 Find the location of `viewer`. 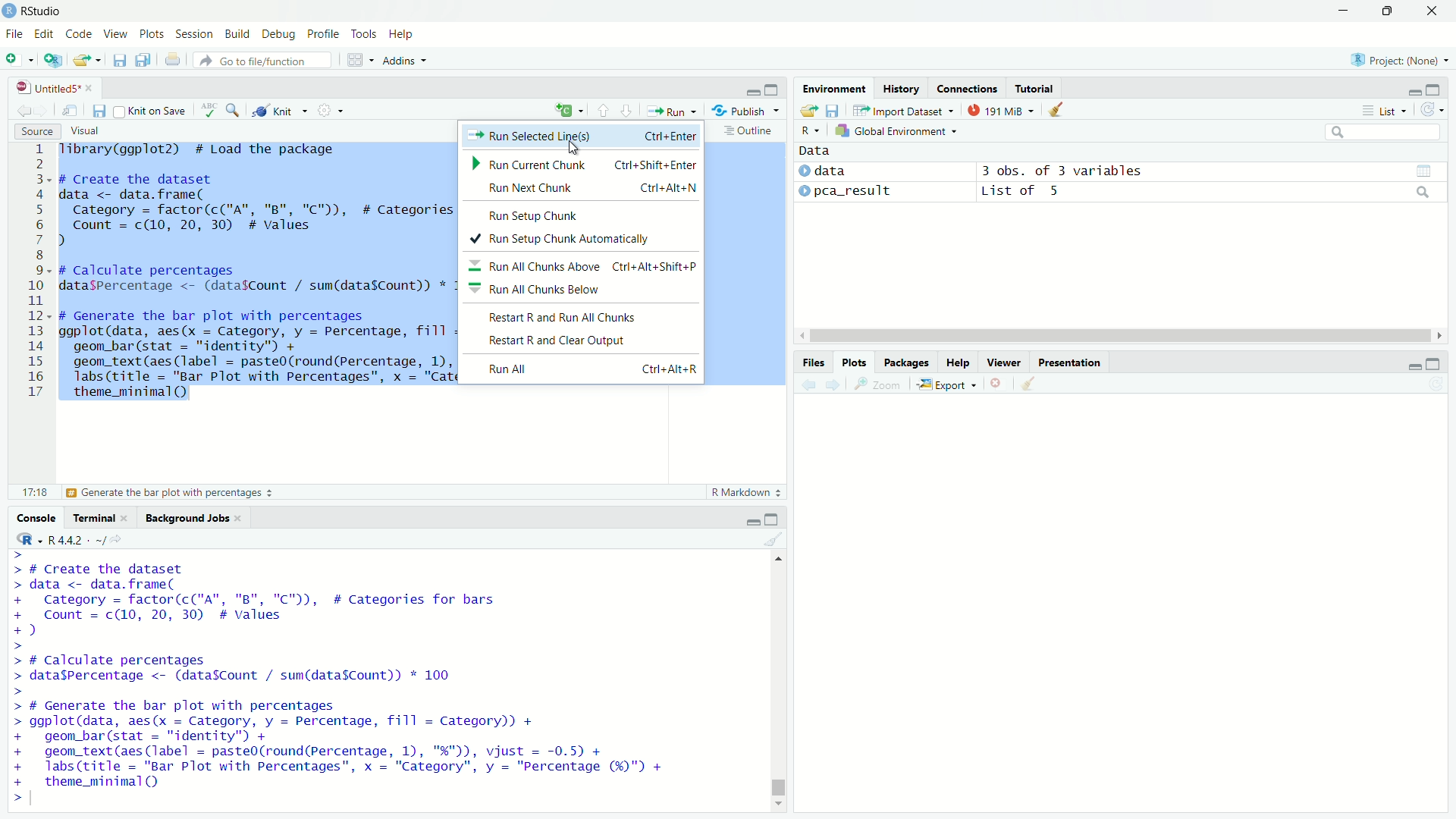

viewer is located at coordinates (1003, 362).